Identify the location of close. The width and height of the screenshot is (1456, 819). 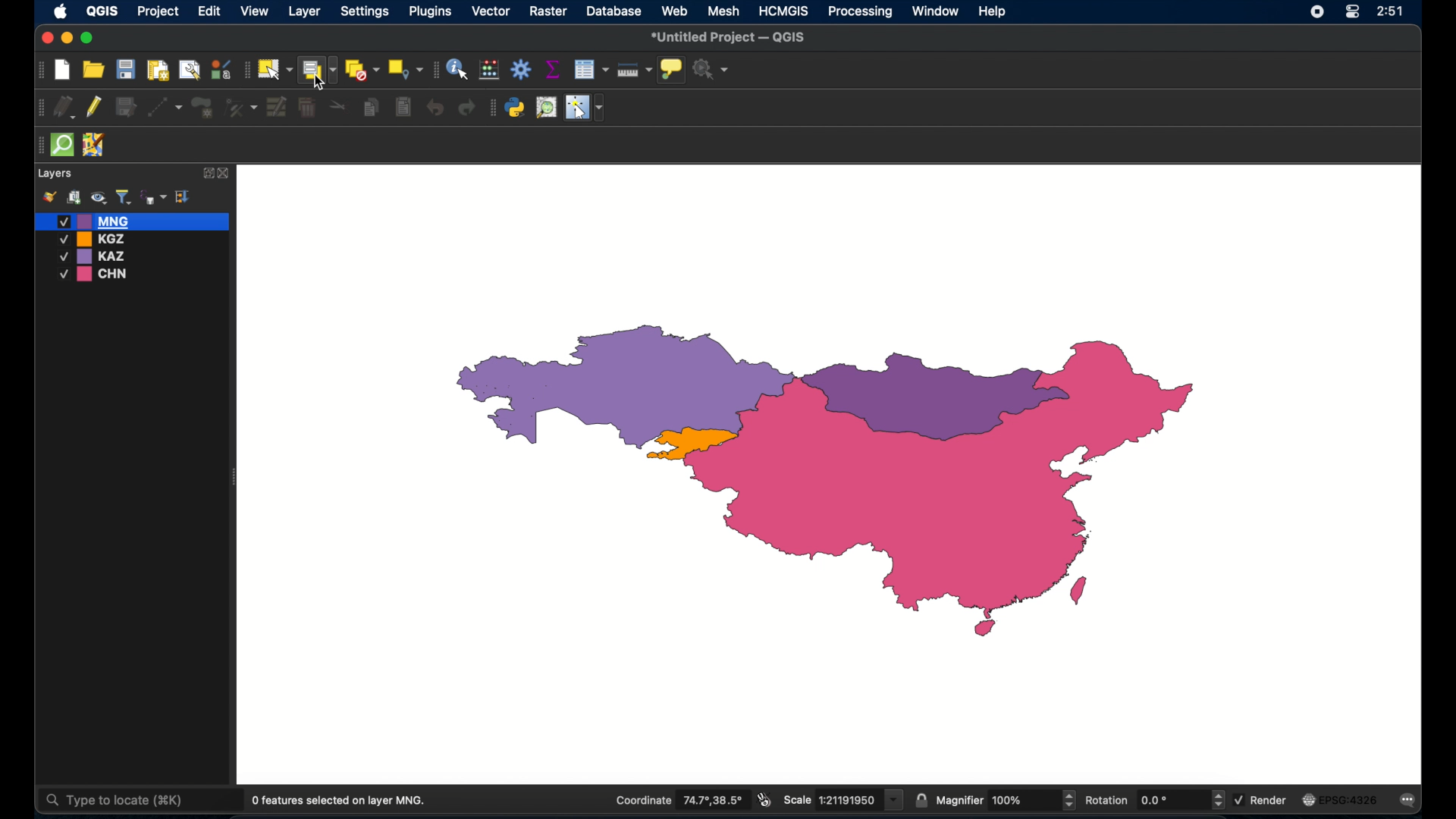
(225, 174).